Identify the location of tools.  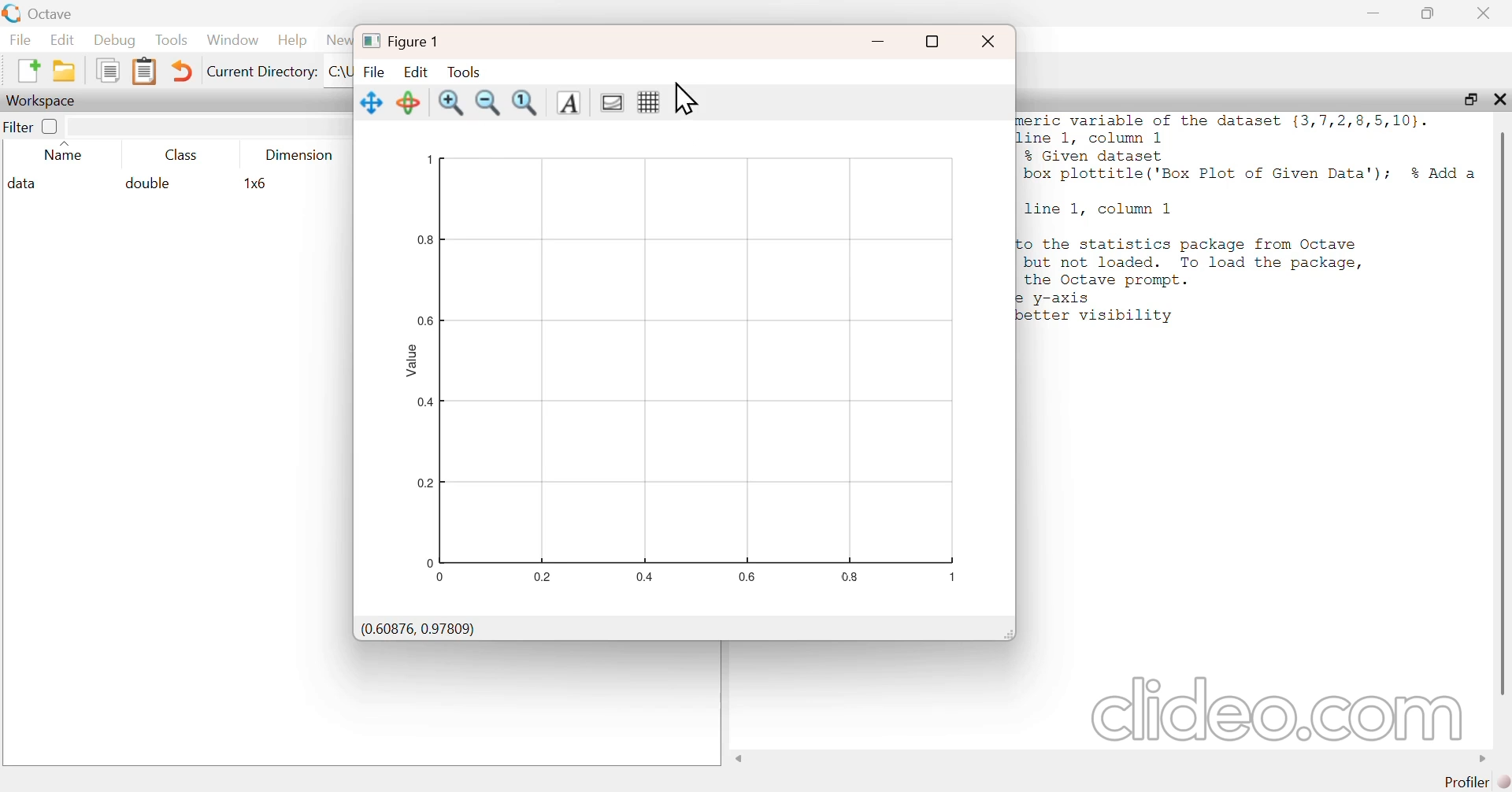
(168, 40).